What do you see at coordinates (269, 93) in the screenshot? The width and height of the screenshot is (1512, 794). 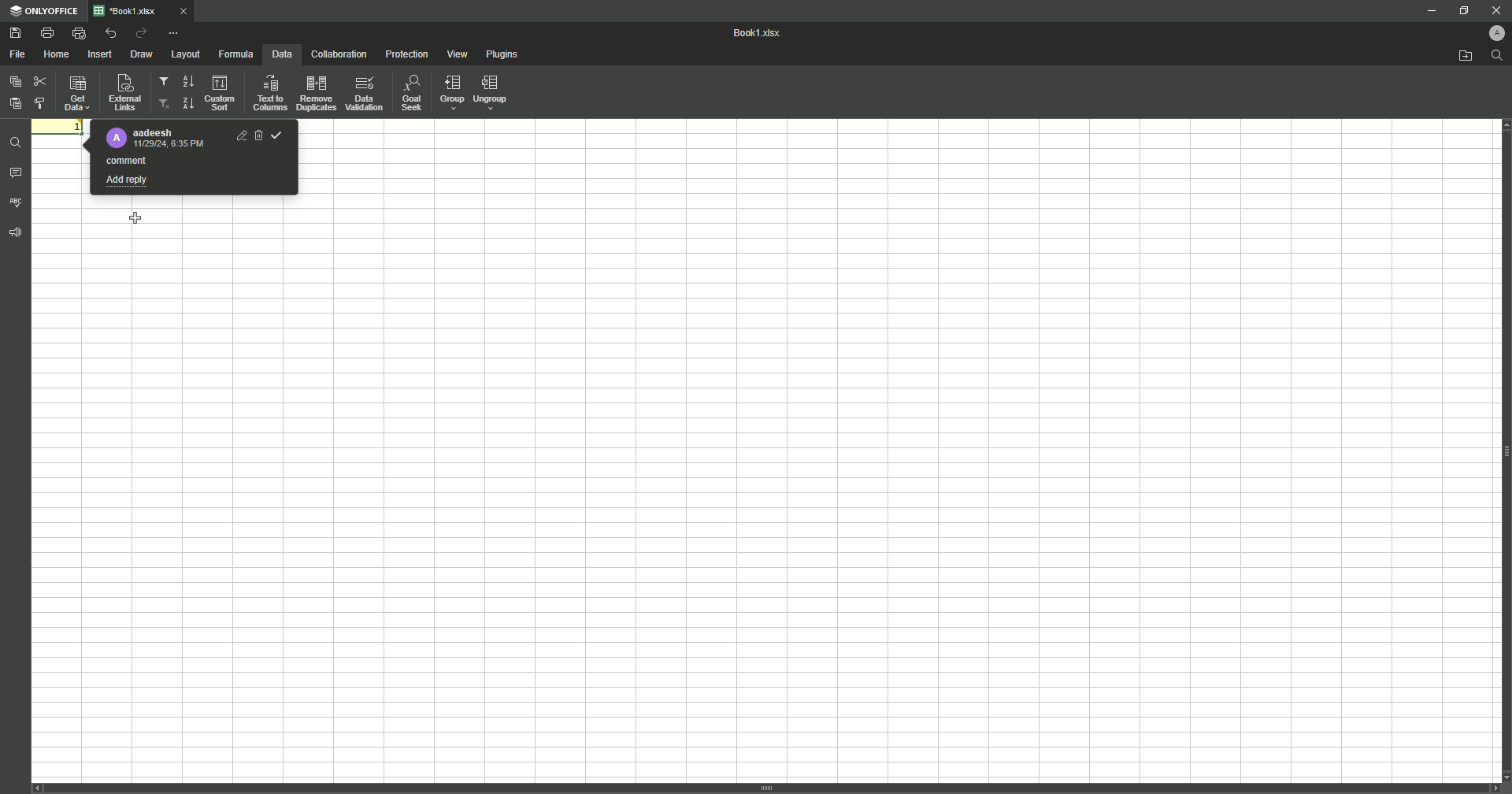 I see `Text to Columns` at bounding box center [269, 93].